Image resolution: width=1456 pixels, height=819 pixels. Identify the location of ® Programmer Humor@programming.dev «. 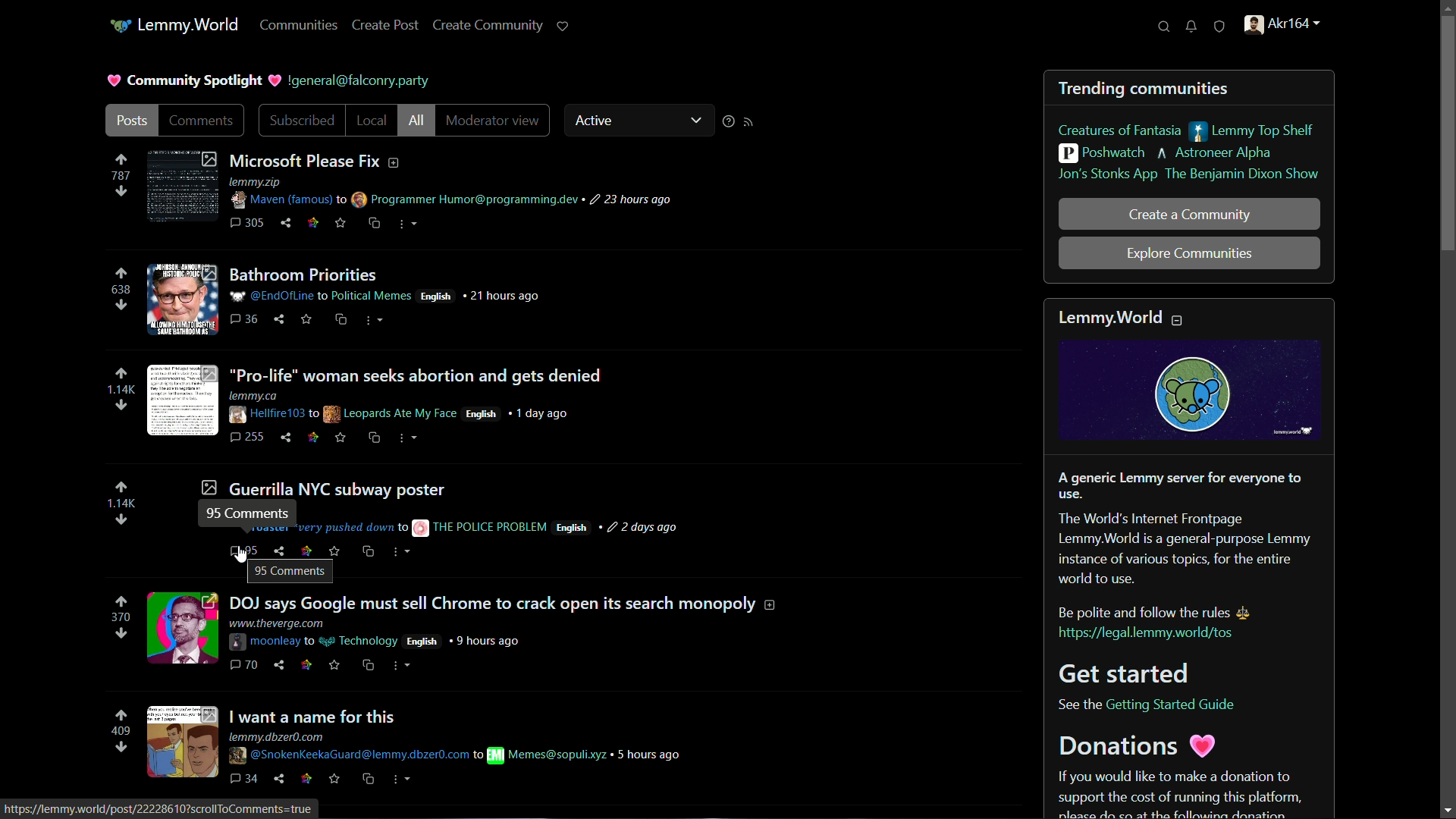
(469, 200).